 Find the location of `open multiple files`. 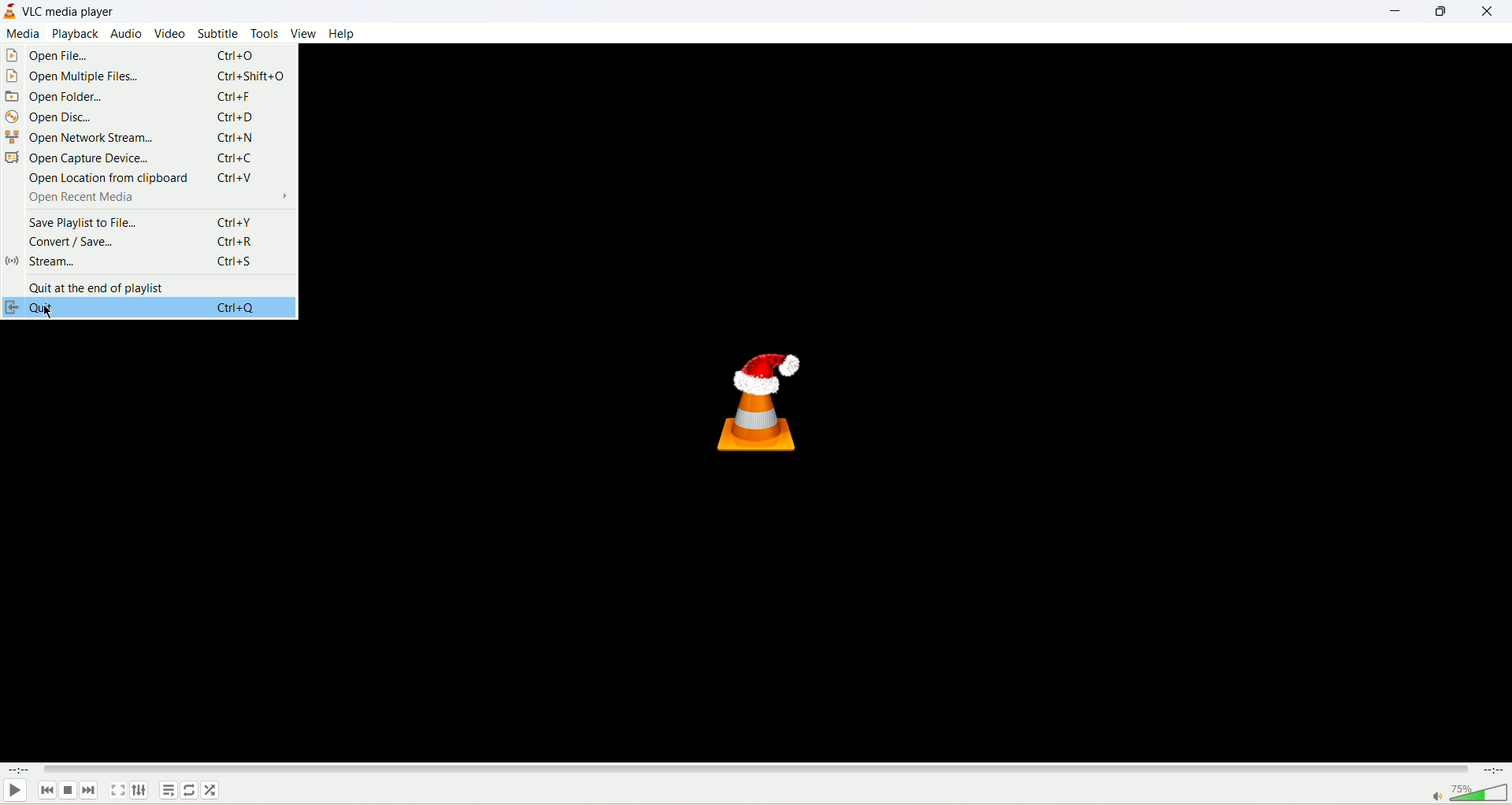

open multiple files is located at coordinates (148, 77).